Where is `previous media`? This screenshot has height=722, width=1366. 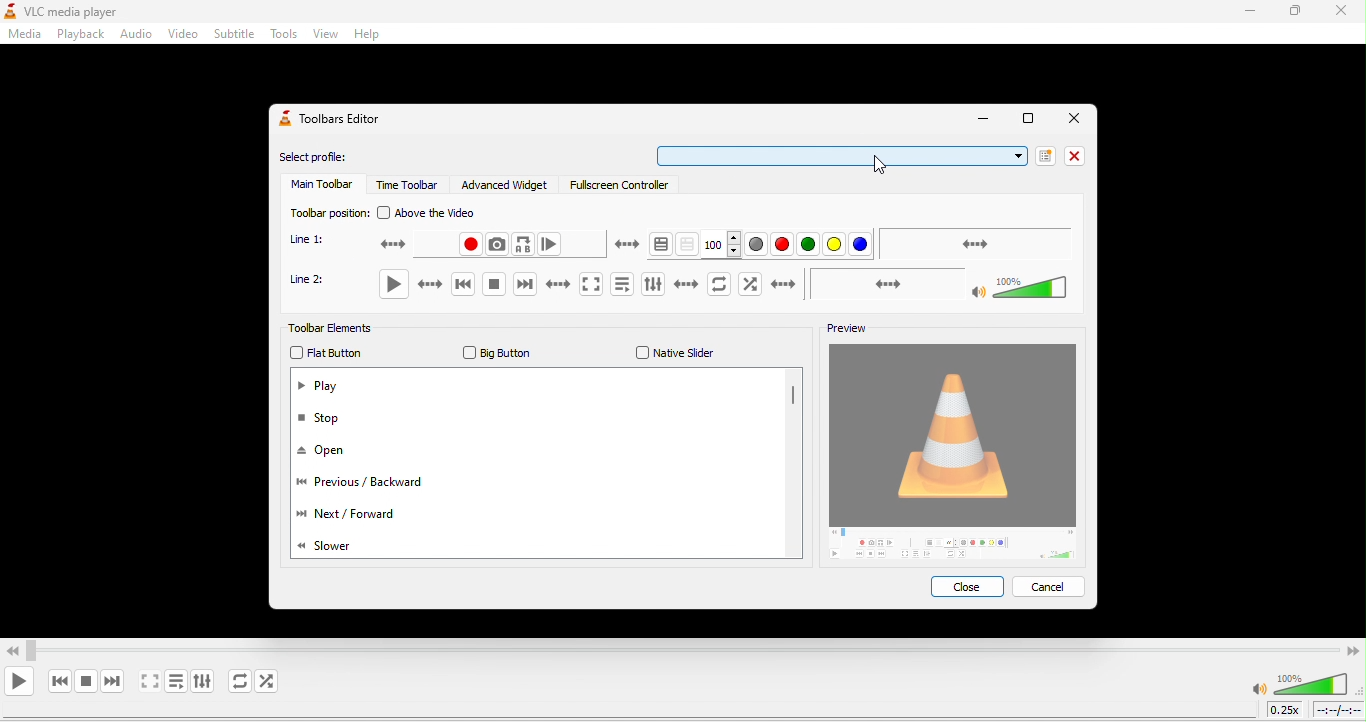 previous media is located at coordinates (461, 284).